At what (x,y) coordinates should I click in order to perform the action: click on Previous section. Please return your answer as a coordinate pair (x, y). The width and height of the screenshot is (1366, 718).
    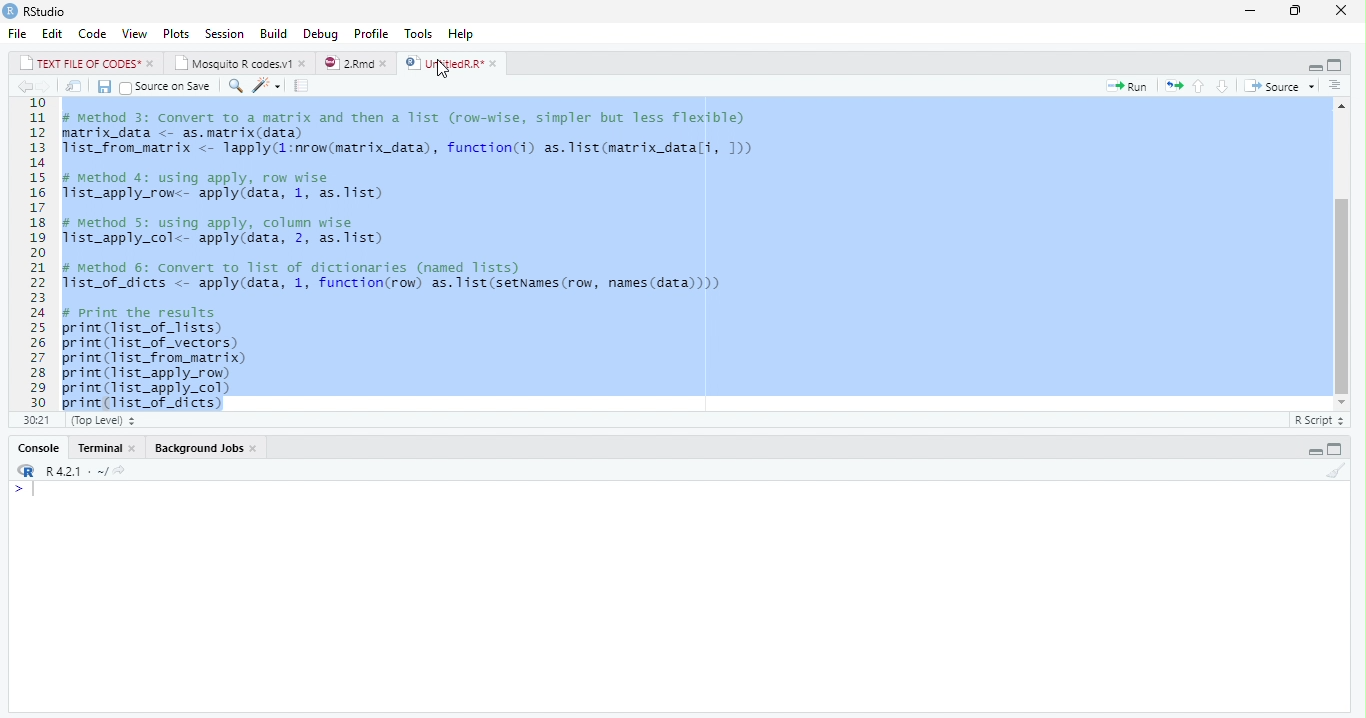
    Looking at the image, I should click on (1337, 87).